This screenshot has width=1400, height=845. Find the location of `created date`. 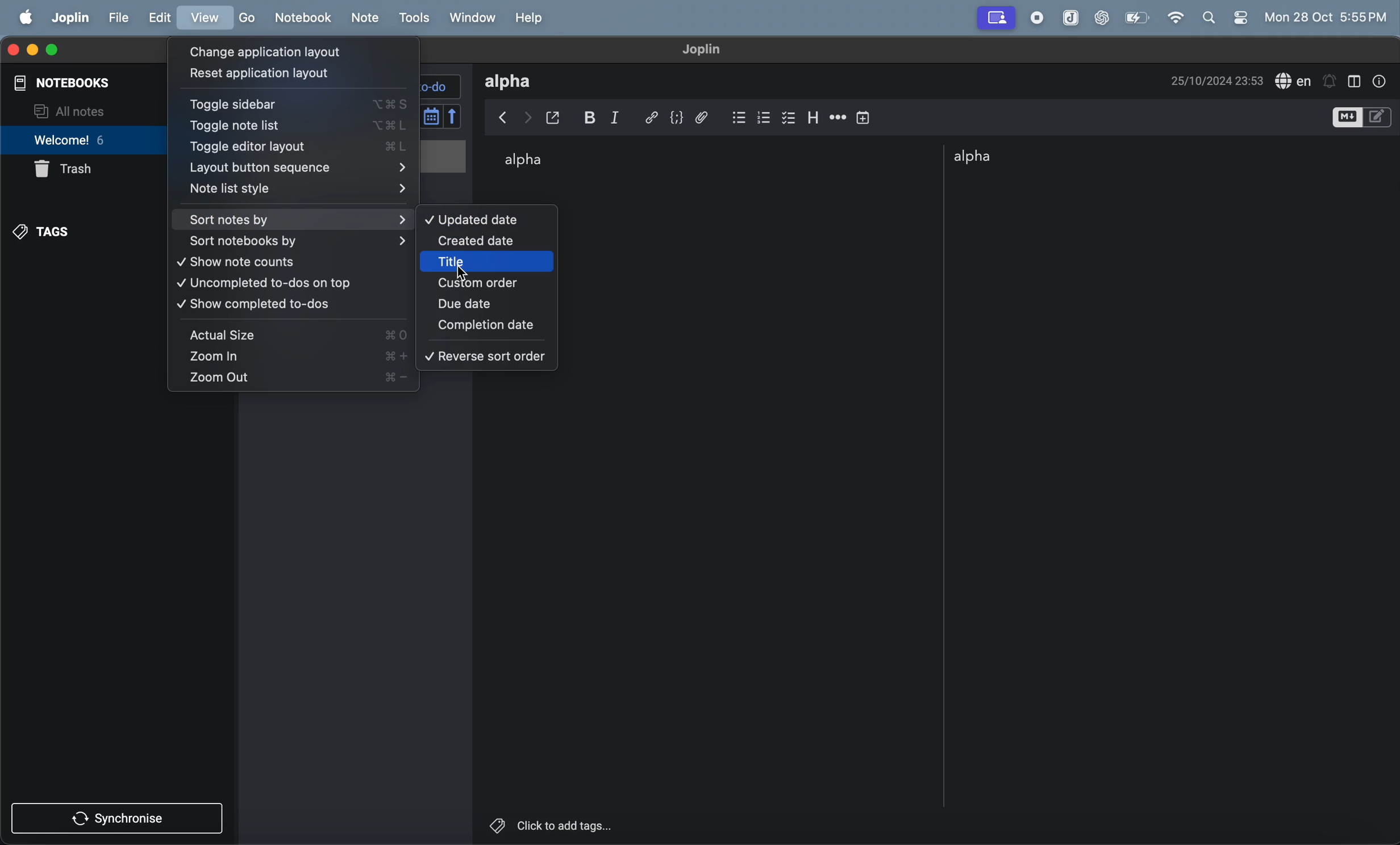

created date is located at coordinates (482, 242).